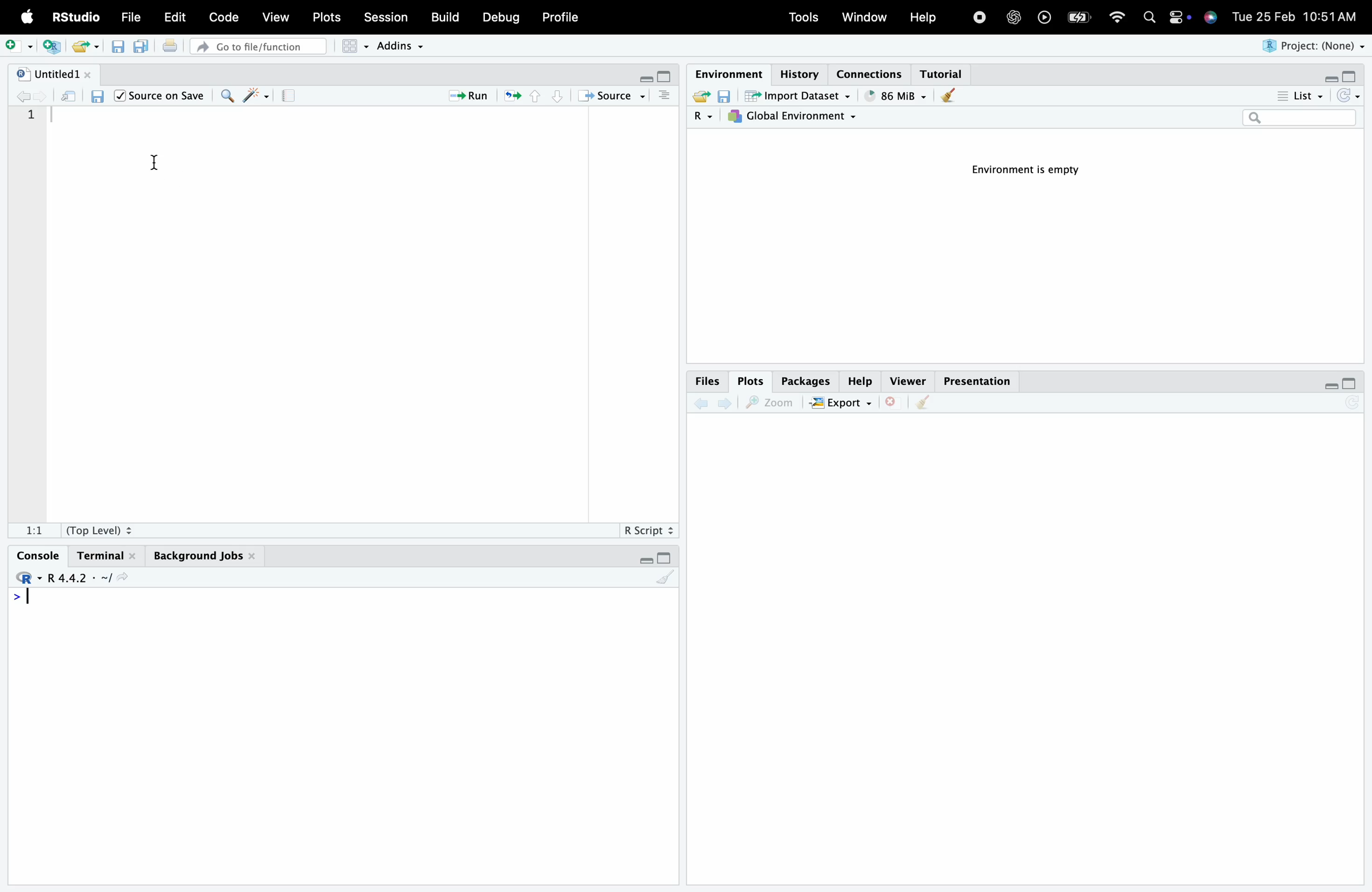 This screenshot has height=892, width=1372. What do you see at coordinates (668, 556) in the screenshot?
I see `maximise` at bounding box center [668, 556].